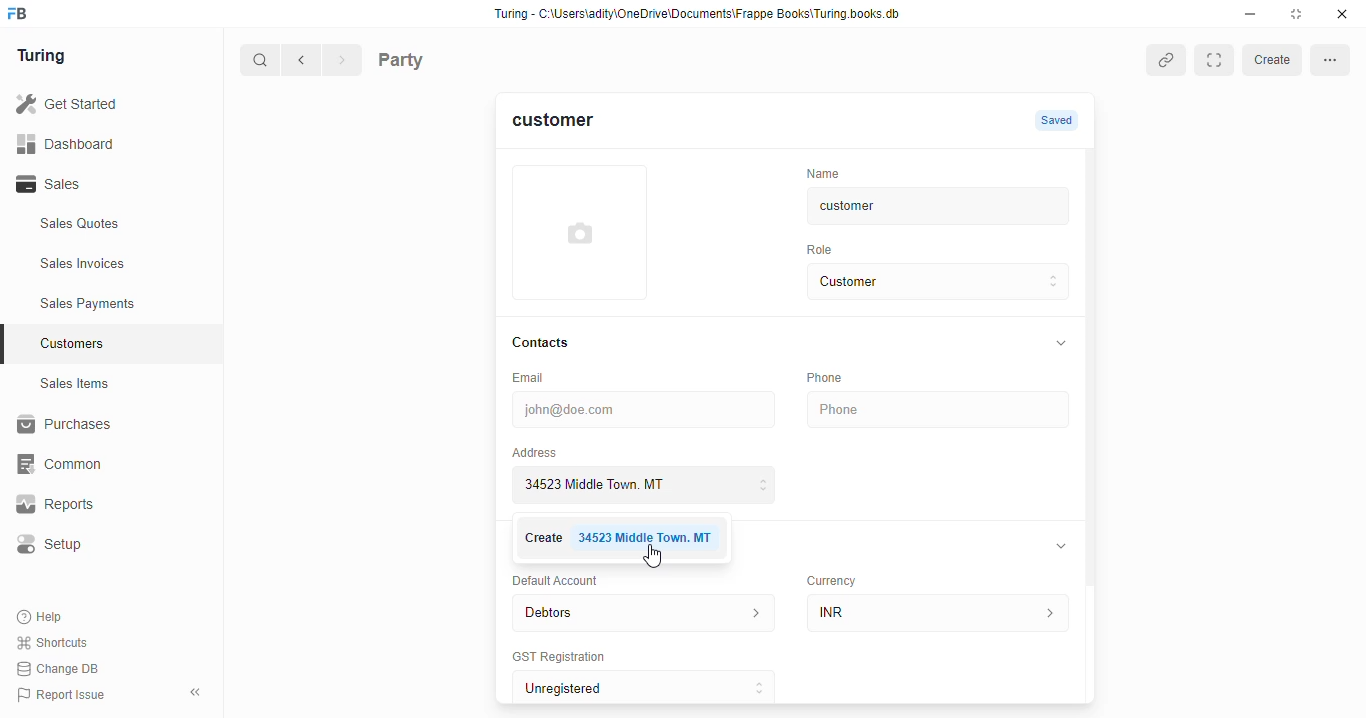 The height and width of the screenshot is (718, 1366). What do you see at coordinates (93, 105) in the screenshot?
I see `Get Started` at bounding box center [93, 105].